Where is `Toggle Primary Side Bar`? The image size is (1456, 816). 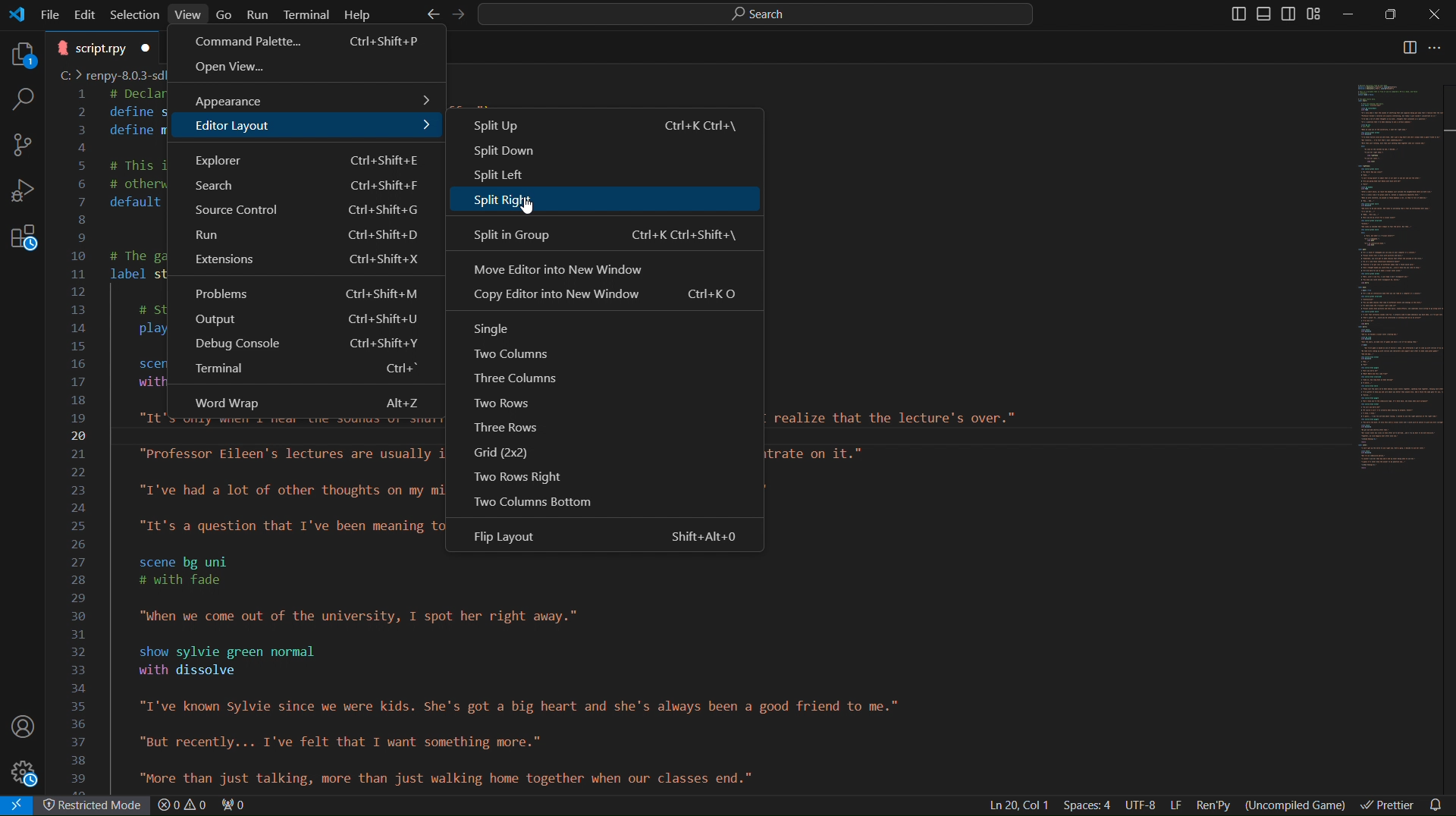
Toggle Primary Side Bar is located at coordinates (1232, 14).